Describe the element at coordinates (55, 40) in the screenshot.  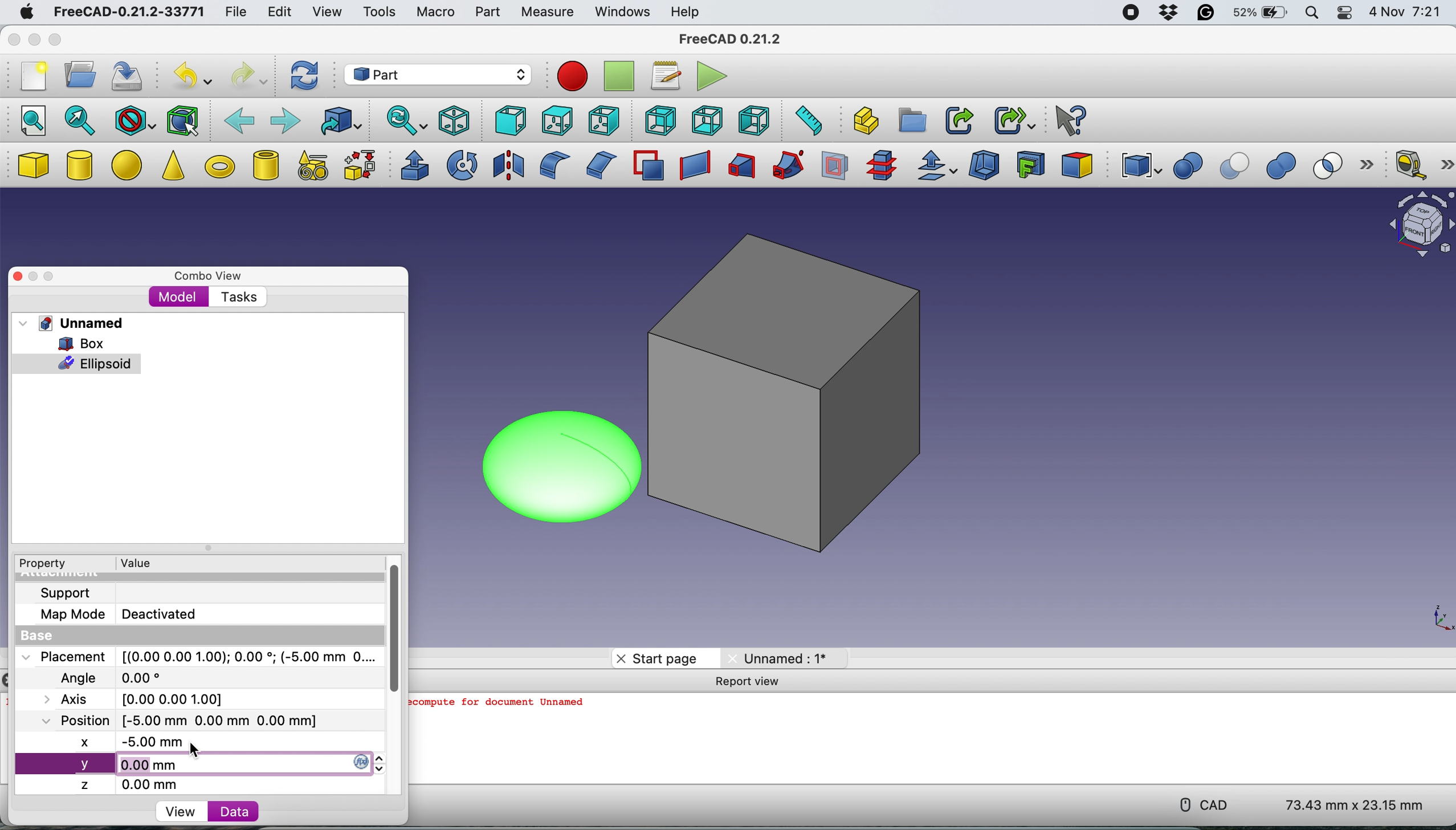
I see `maximise` at that location.